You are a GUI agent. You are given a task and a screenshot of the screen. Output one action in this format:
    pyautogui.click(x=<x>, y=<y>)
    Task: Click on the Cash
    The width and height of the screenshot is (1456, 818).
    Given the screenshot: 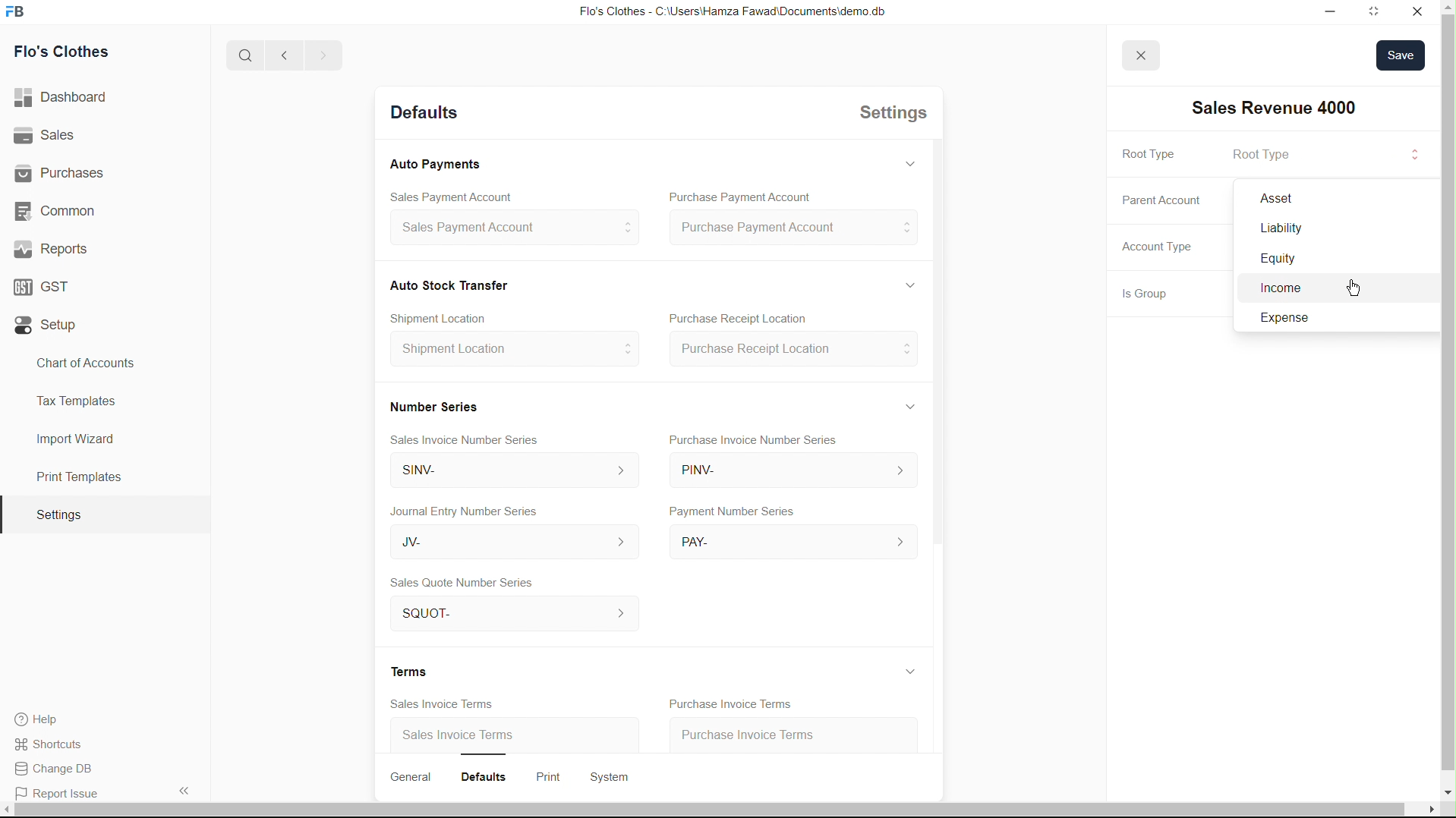 What is the action you would take?
    pyautogui.click(x=458, y=284)
    